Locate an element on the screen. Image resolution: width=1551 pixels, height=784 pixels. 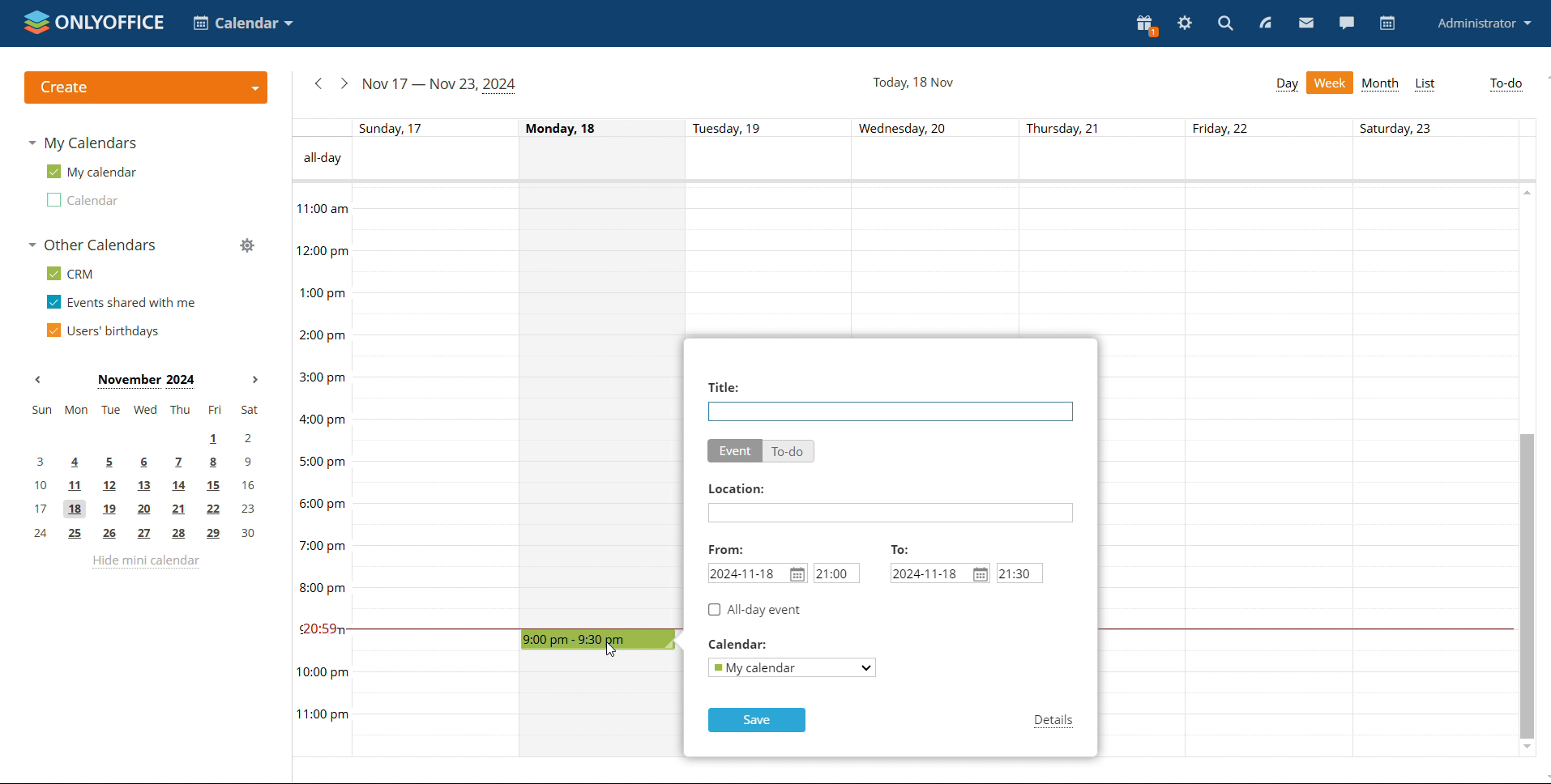
start time is located at coordinates (837, 573).